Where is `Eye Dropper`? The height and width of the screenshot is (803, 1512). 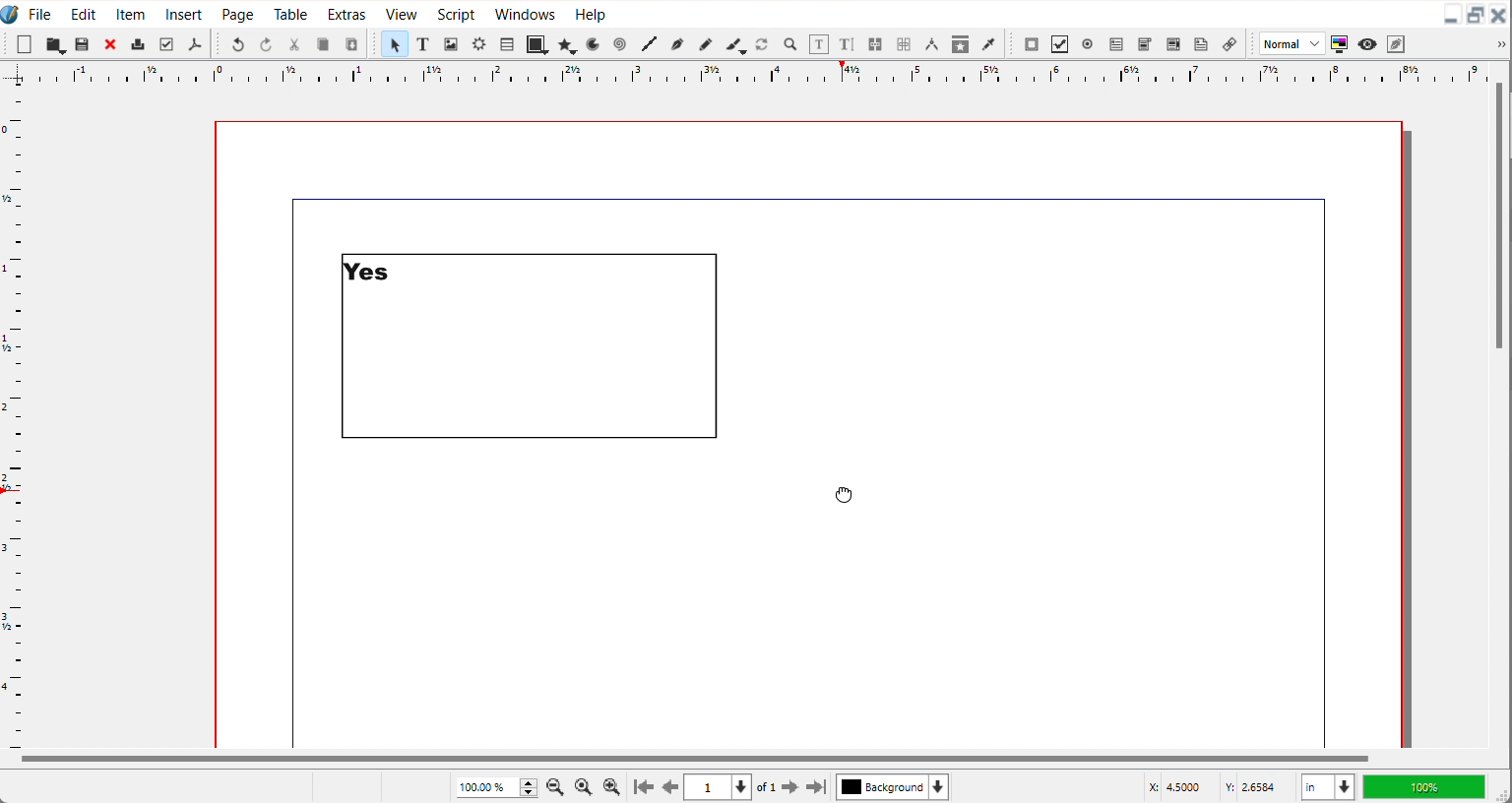 Eye Dropper is located at coordinates (990, 43).